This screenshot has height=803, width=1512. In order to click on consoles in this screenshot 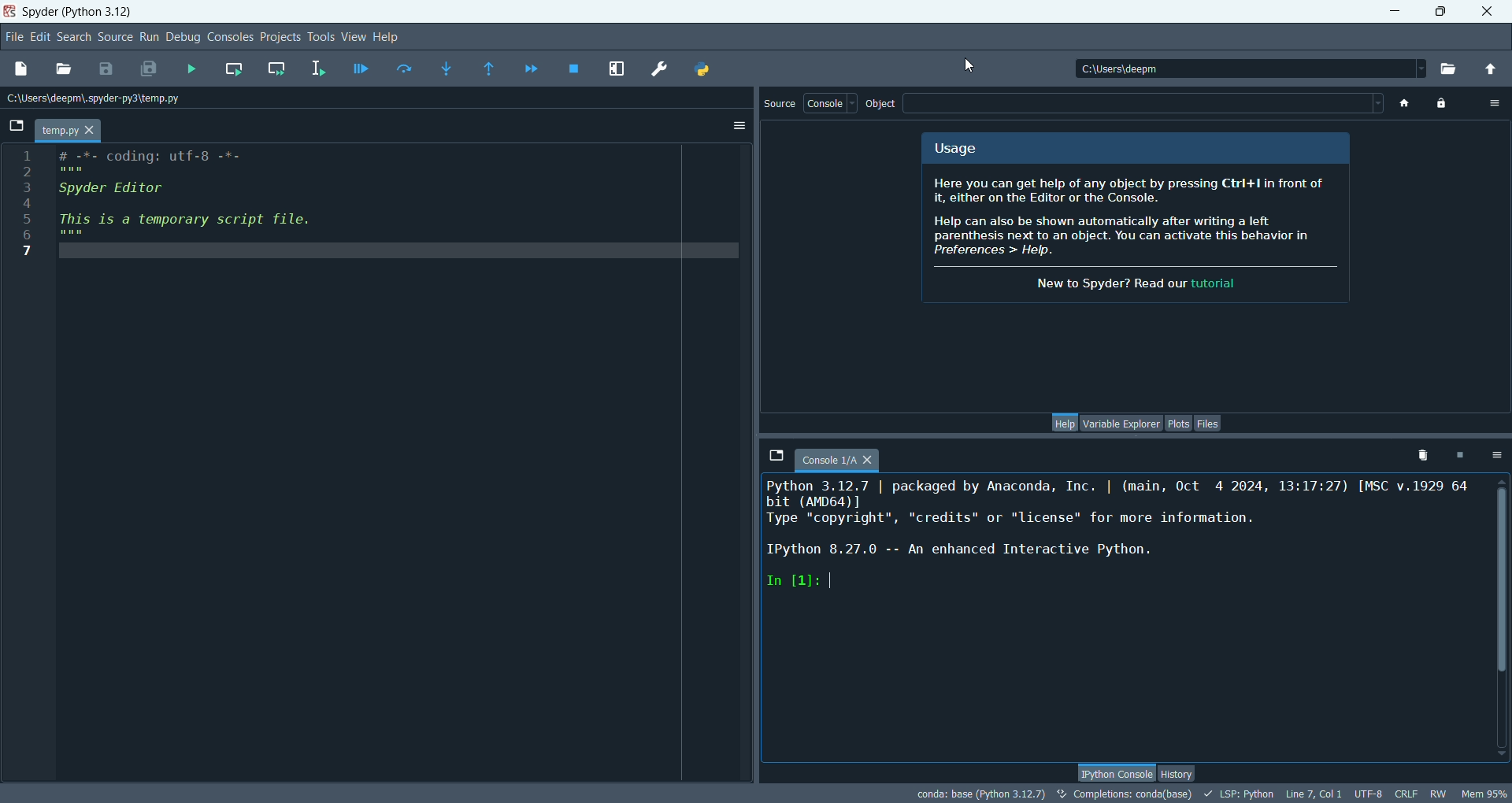, I will do `click(230, 37)`.